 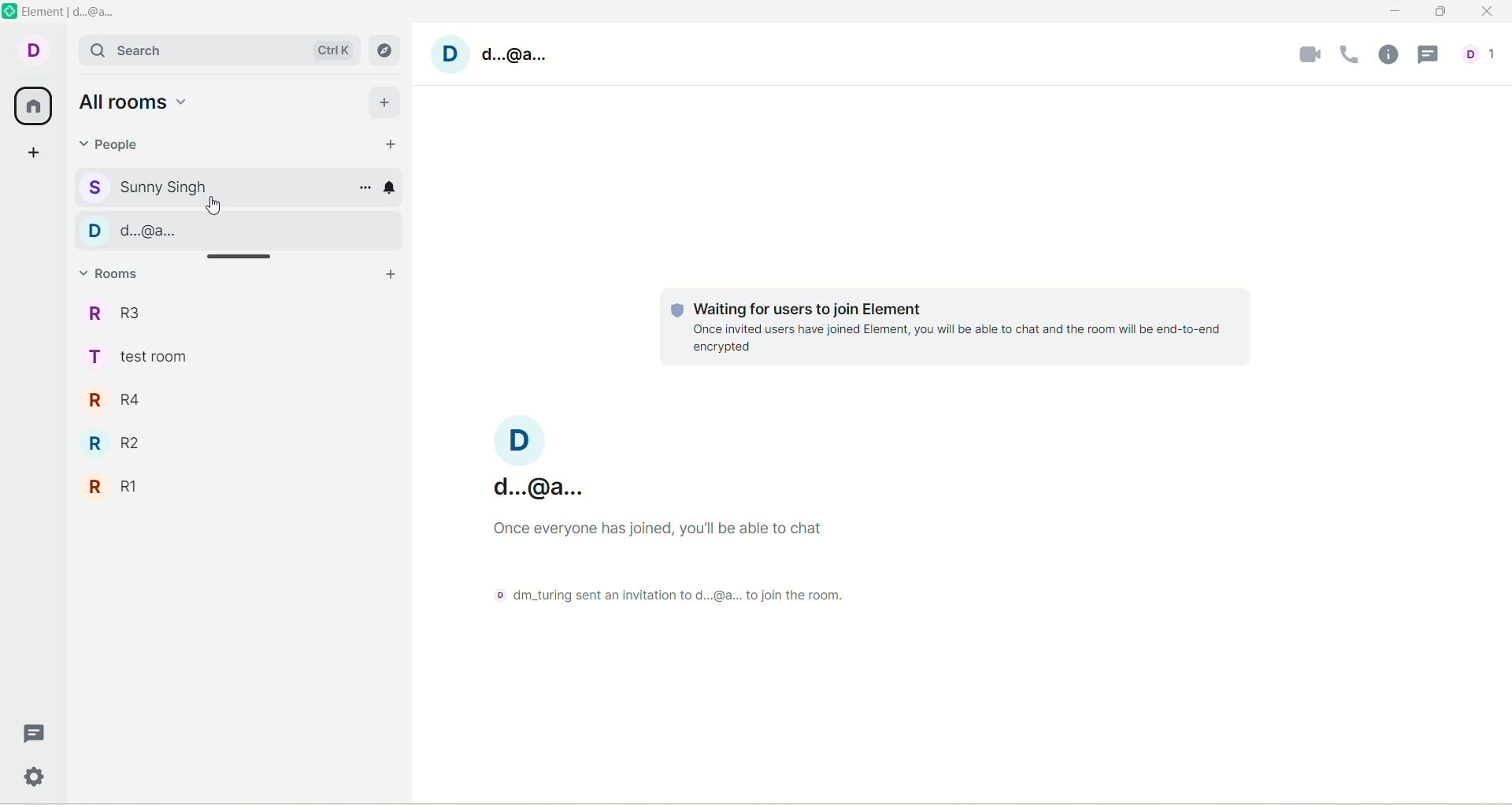 I want to click on add, so click(x=384, y=103).